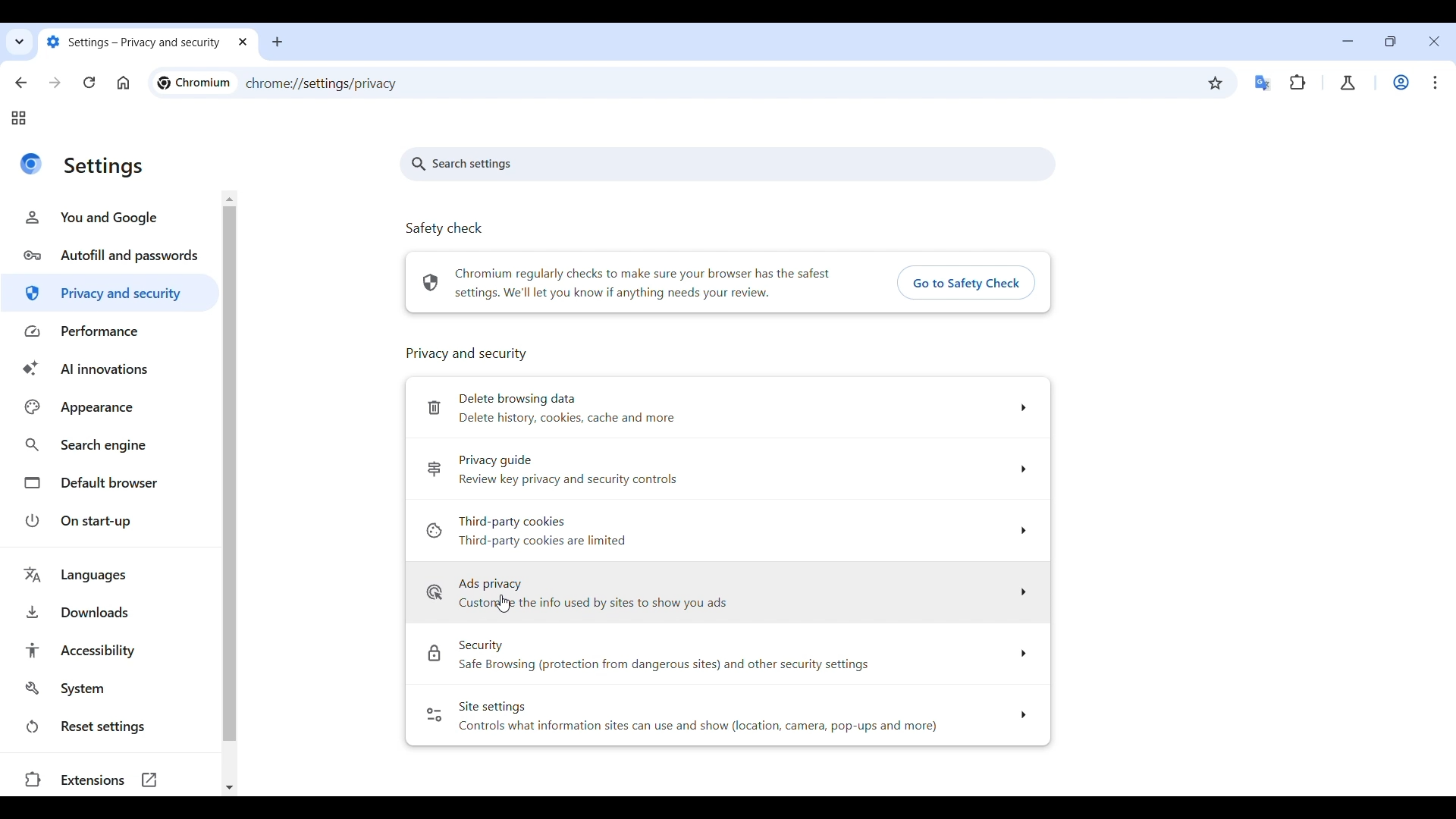 The image size is (1456, 819). Describe the element at coordinates (1436, 83) in the screenshot. I see `Customize and control Chromium highlighted` at that location.